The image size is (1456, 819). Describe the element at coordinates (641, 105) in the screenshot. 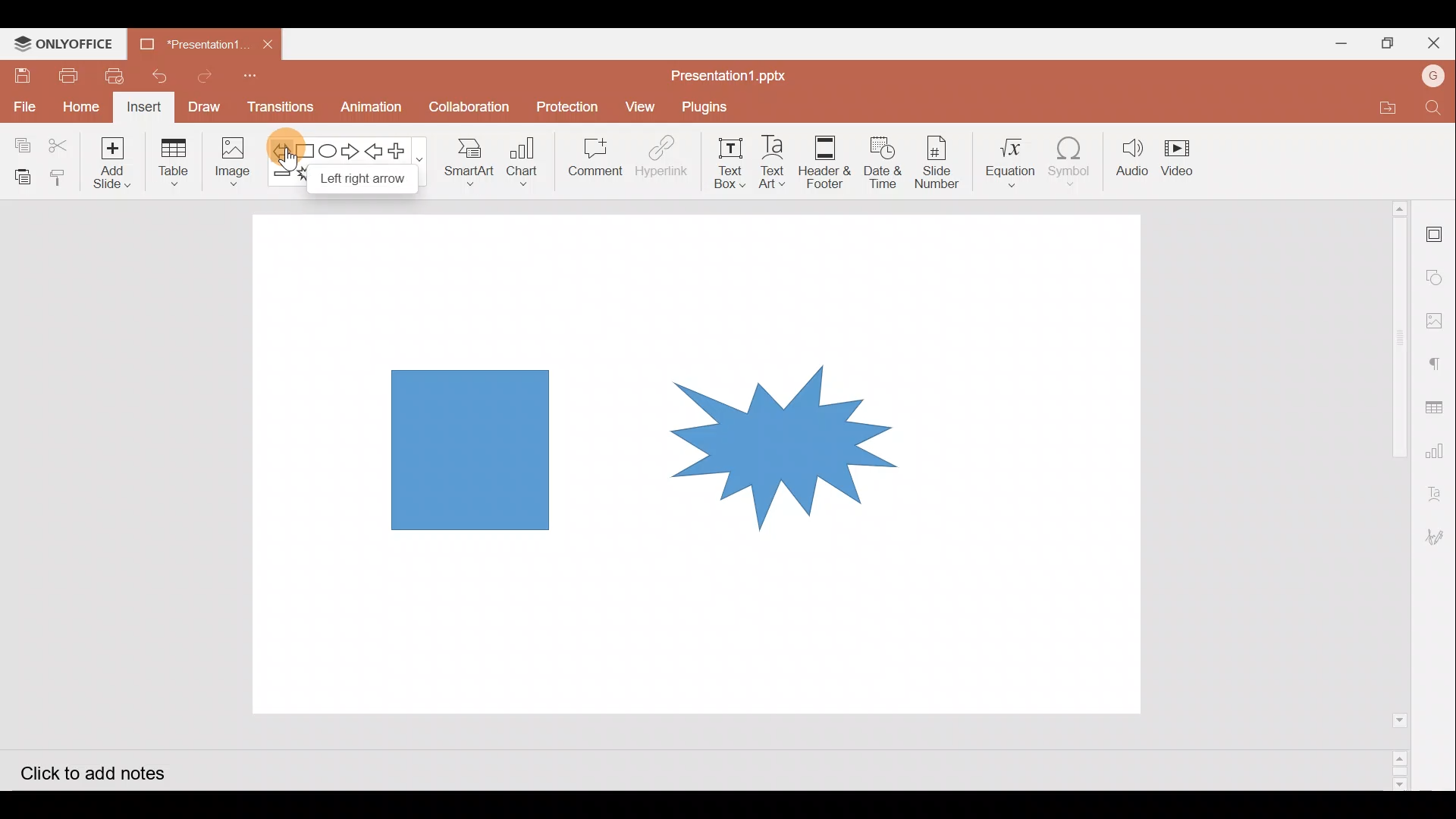

I see `View` at that location.